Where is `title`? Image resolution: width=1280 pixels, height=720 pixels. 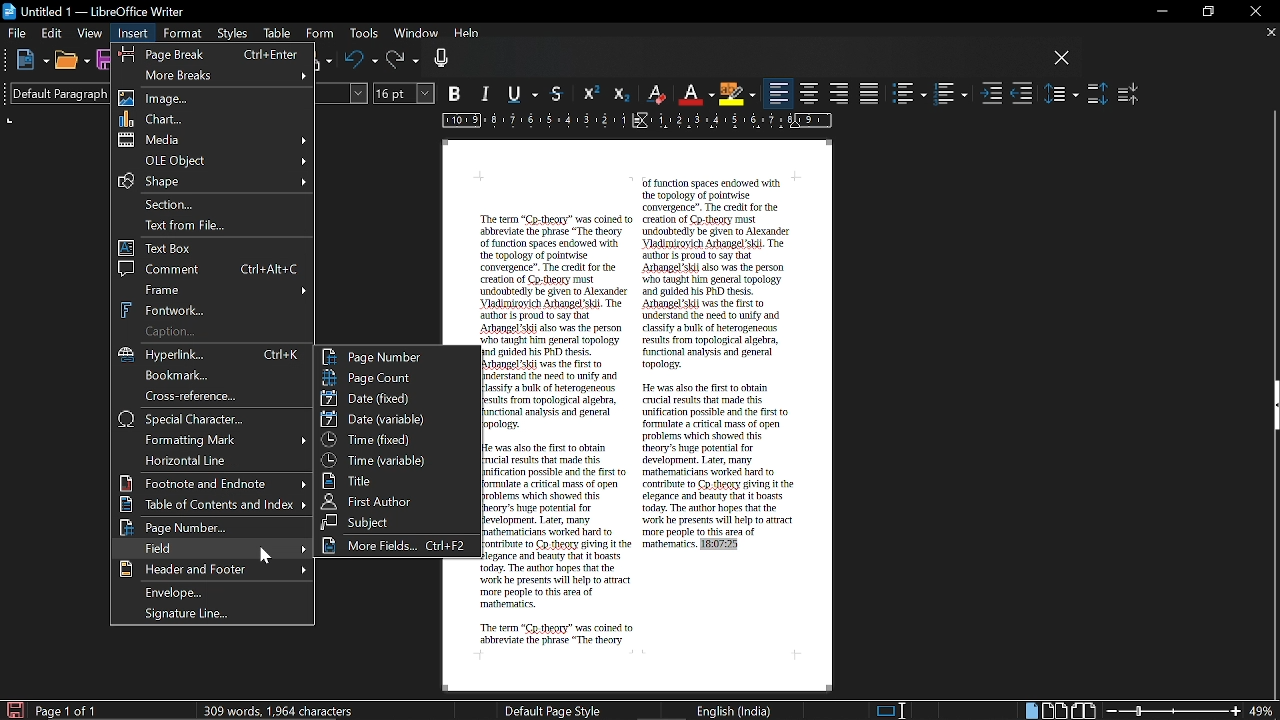
title is located at coordinates (394, 480).